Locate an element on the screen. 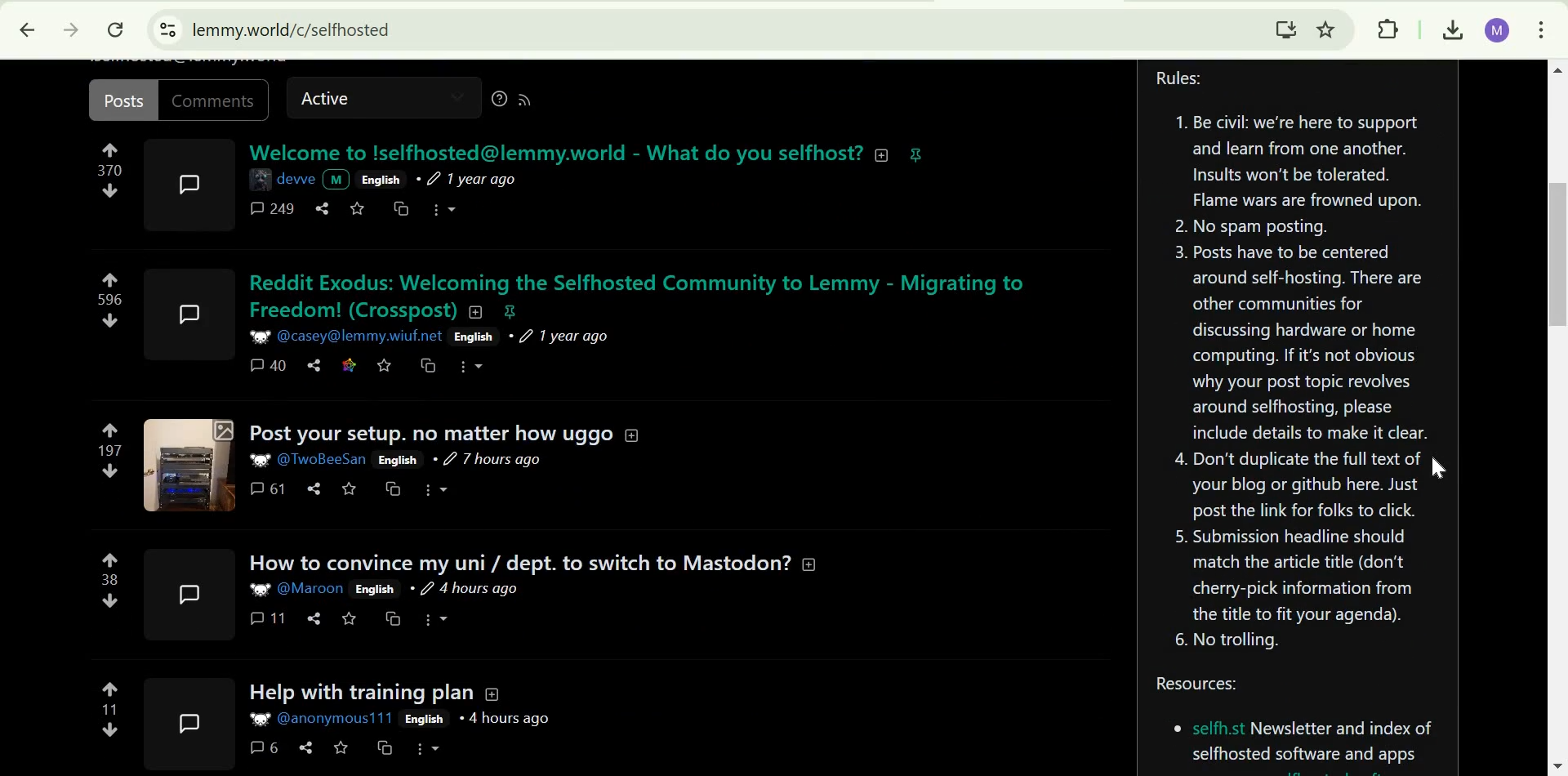 The height and width of the screenshot is (776, 1568). Click to go back, hold to see history is located at coordinates (28, 29).